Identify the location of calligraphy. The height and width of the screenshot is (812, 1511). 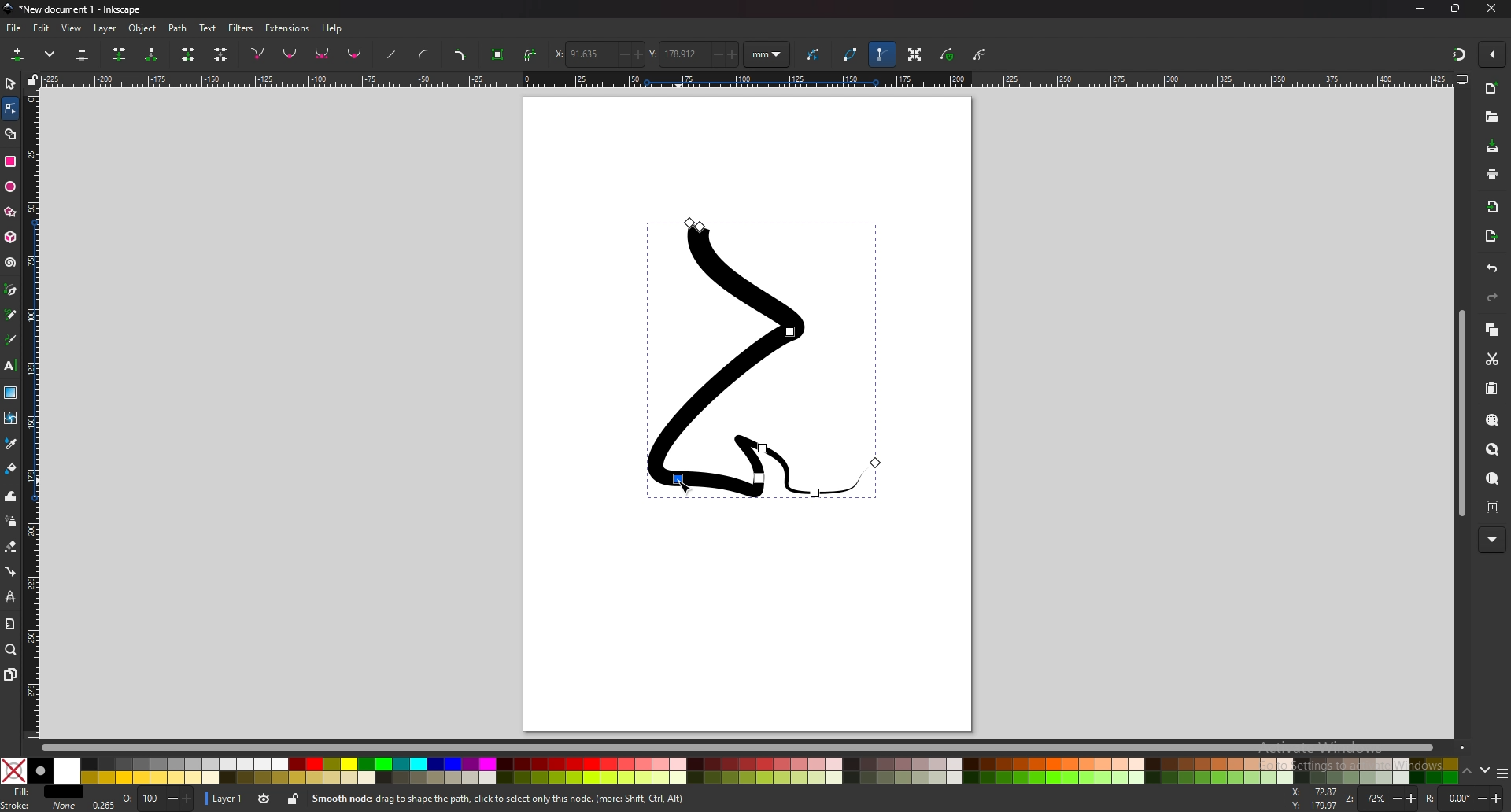
(11, 339).